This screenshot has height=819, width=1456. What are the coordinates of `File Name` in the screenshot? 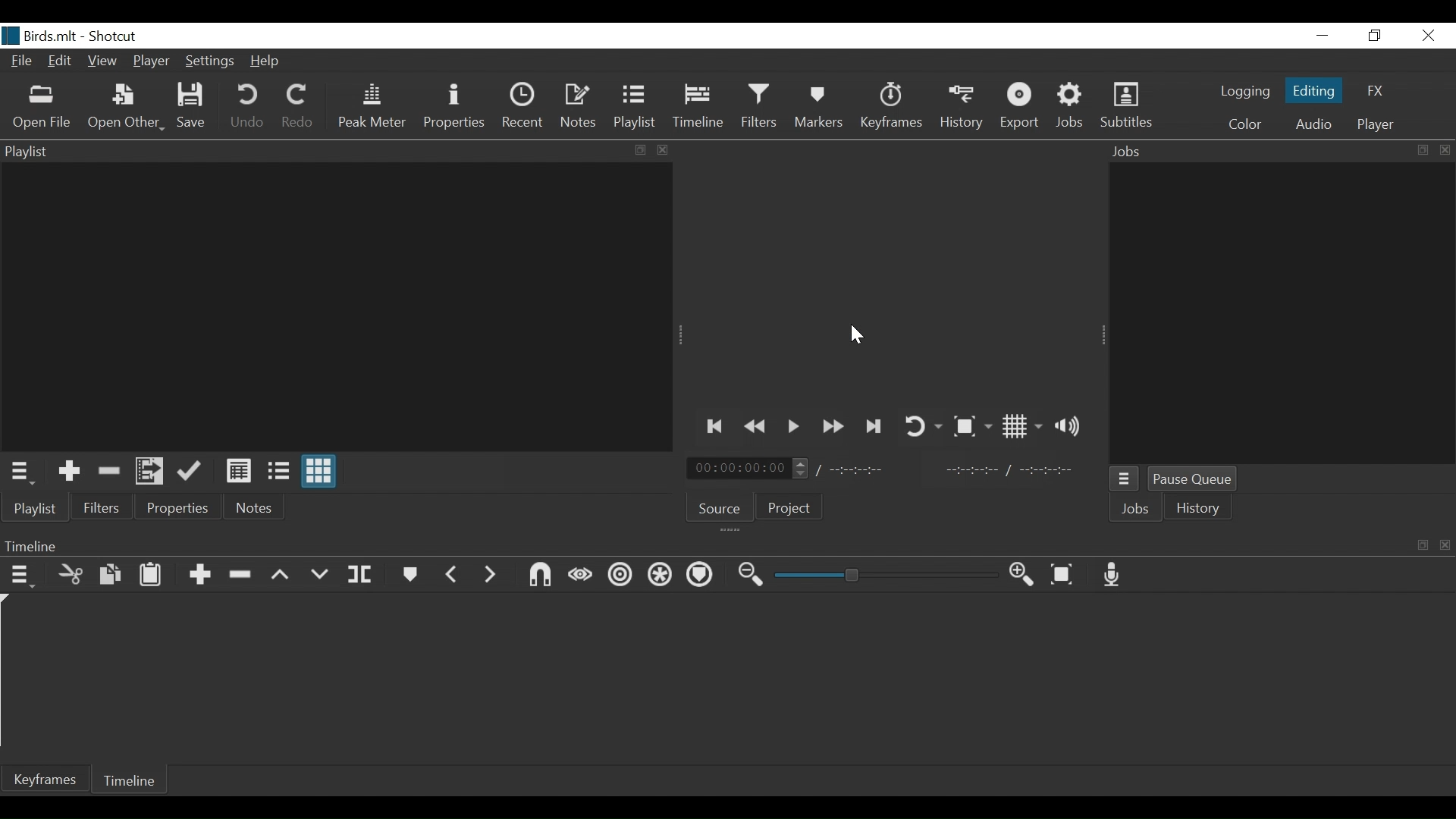 It's located at (39, 35).